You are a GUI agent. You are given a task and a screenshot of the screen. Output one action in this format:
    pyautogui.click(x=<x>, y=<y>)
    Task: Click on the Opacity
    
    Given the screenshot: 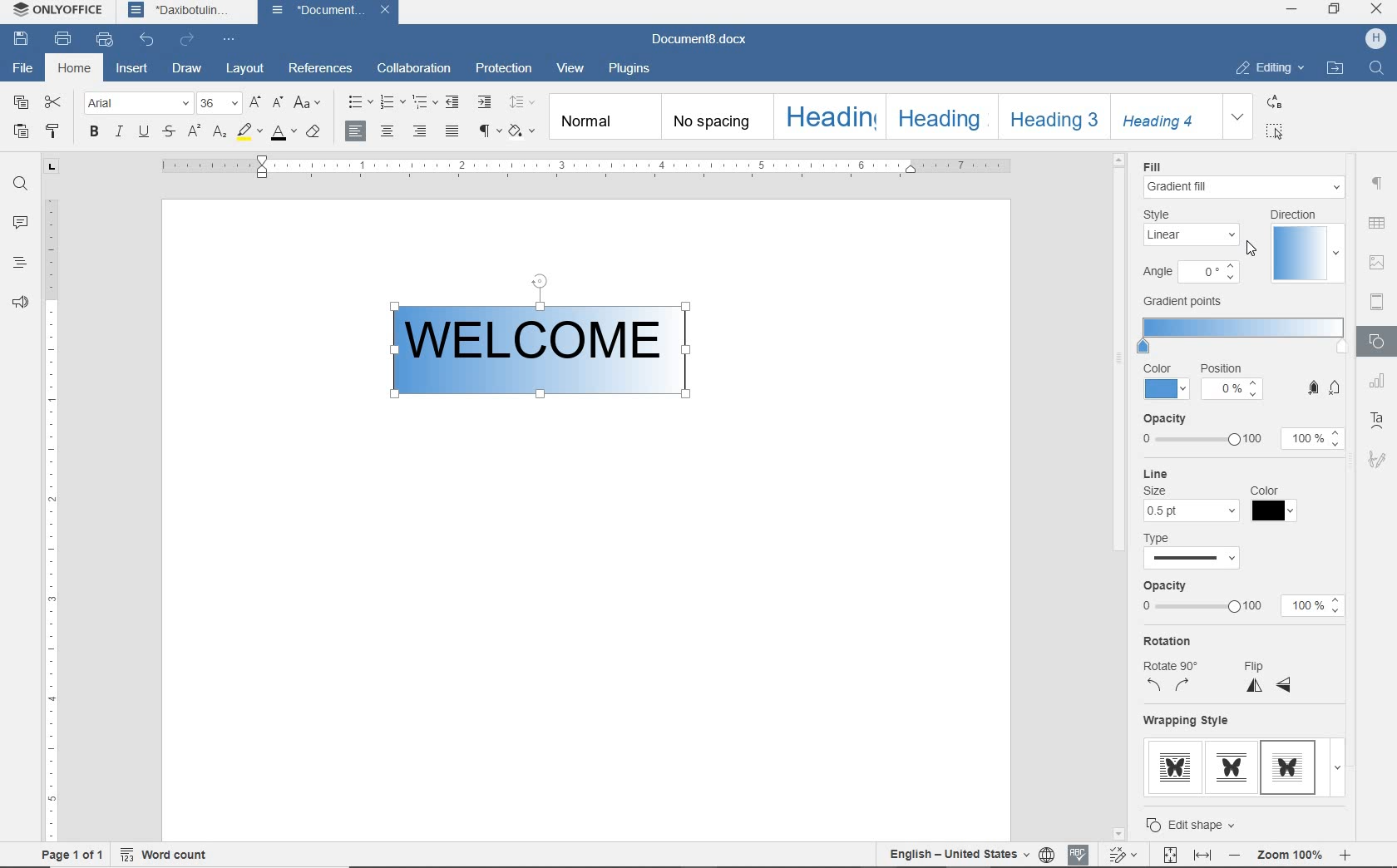 What is the action you would take?
    pyautogui.click(x=1163, y=584)
    